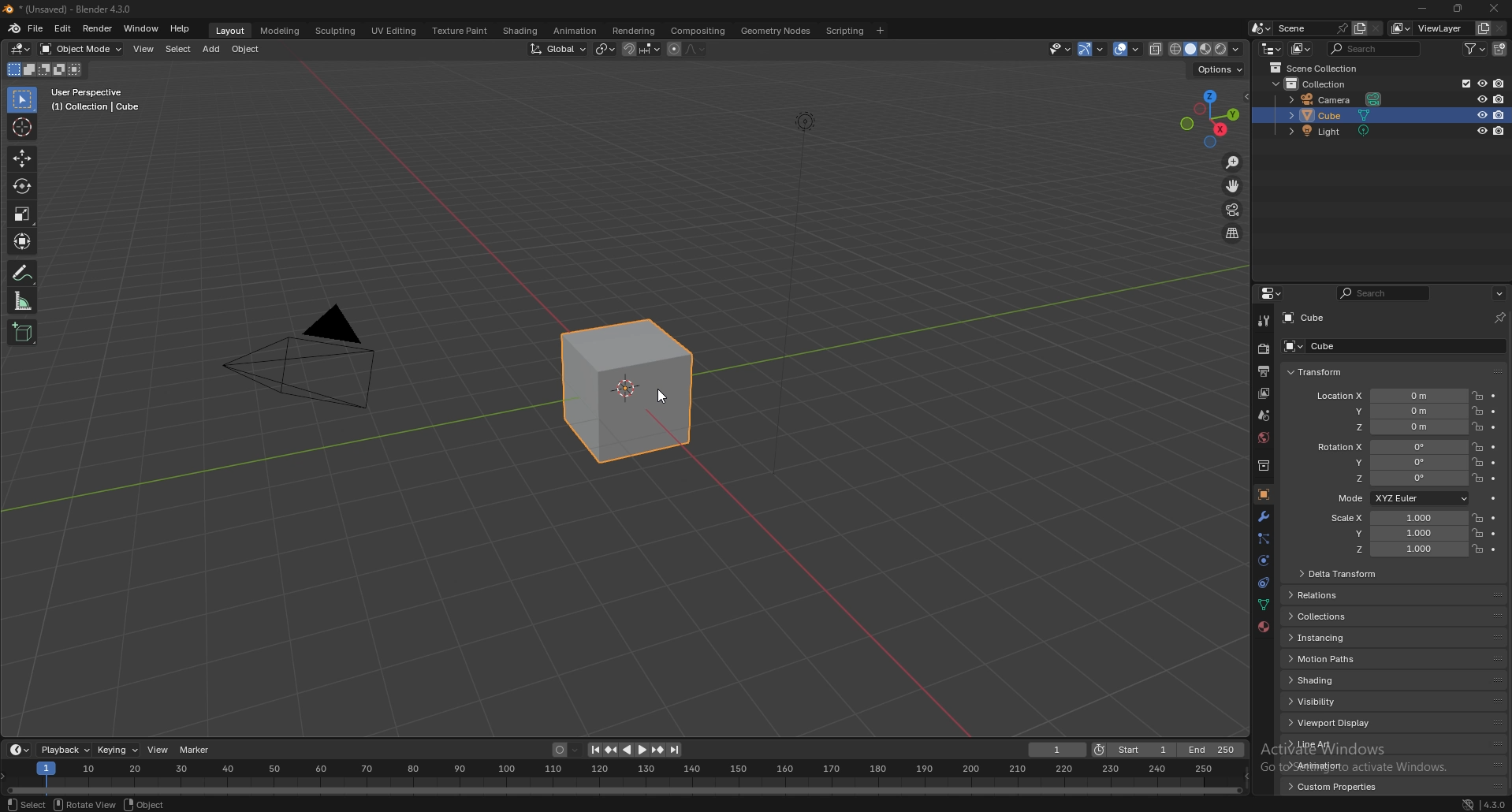  I want to click on transform, so click(1320, 372).